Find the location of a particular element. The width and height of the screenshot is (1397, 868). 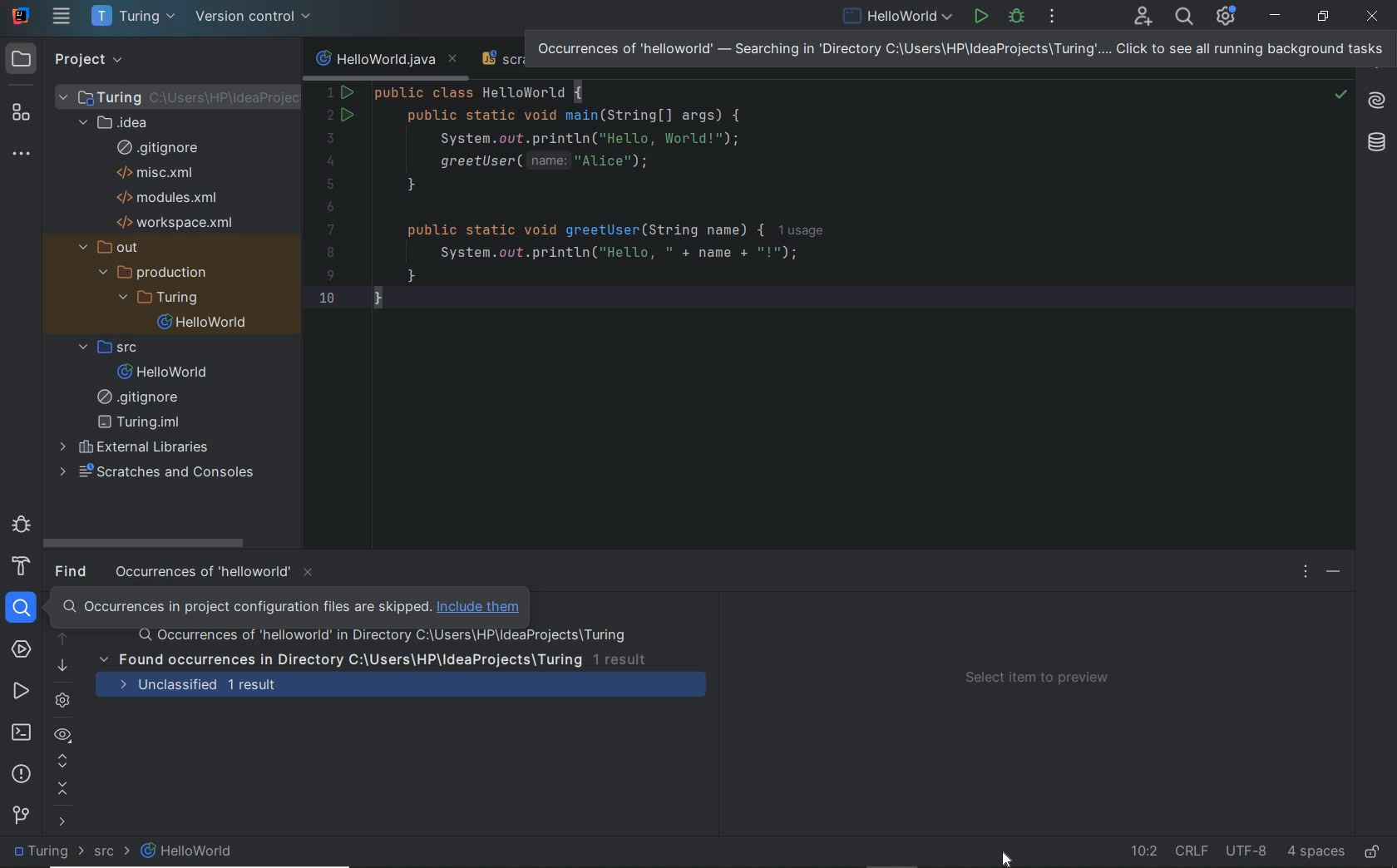

file encoding is located at coordinates (1247, 851).